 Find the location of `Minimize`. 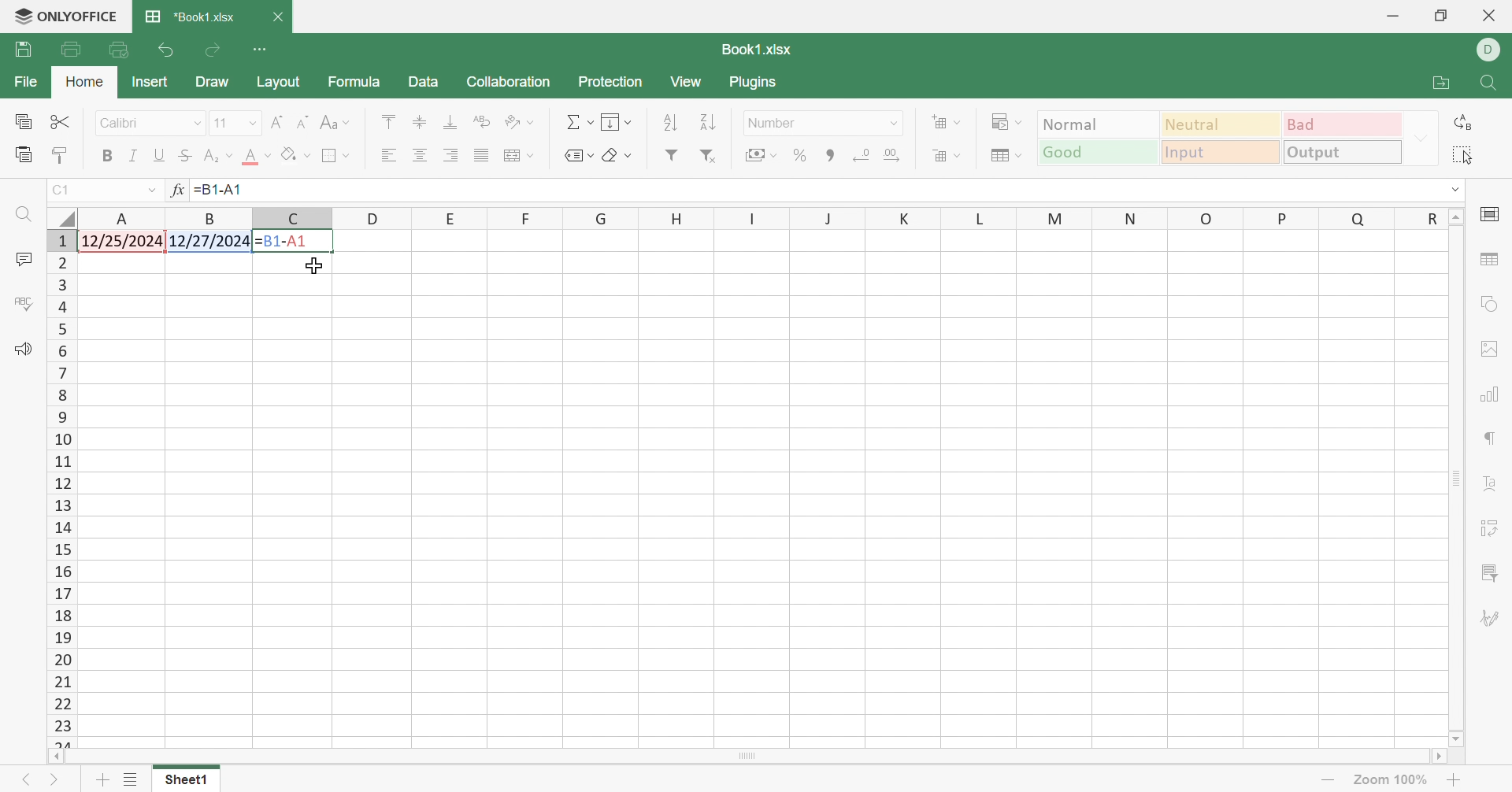

Minimize is located at coordinates (1392, 15).